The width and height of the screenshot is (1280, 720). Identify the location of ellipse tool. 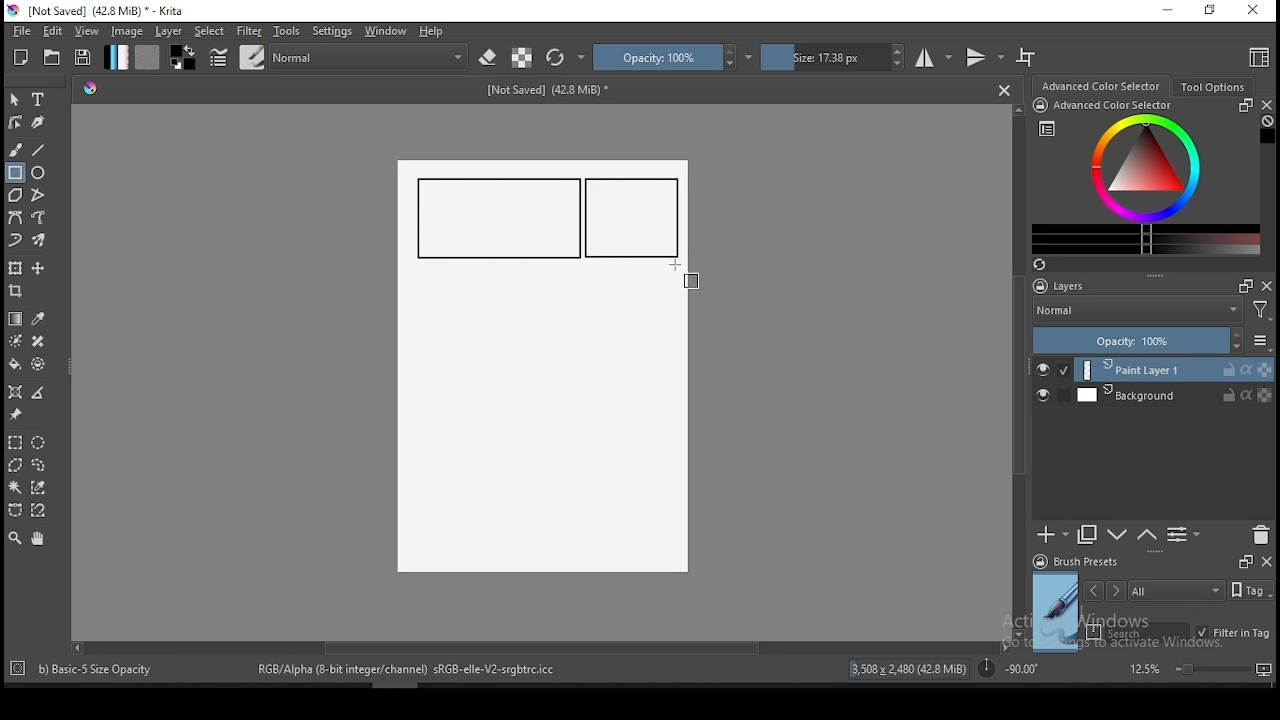
(39, 171).